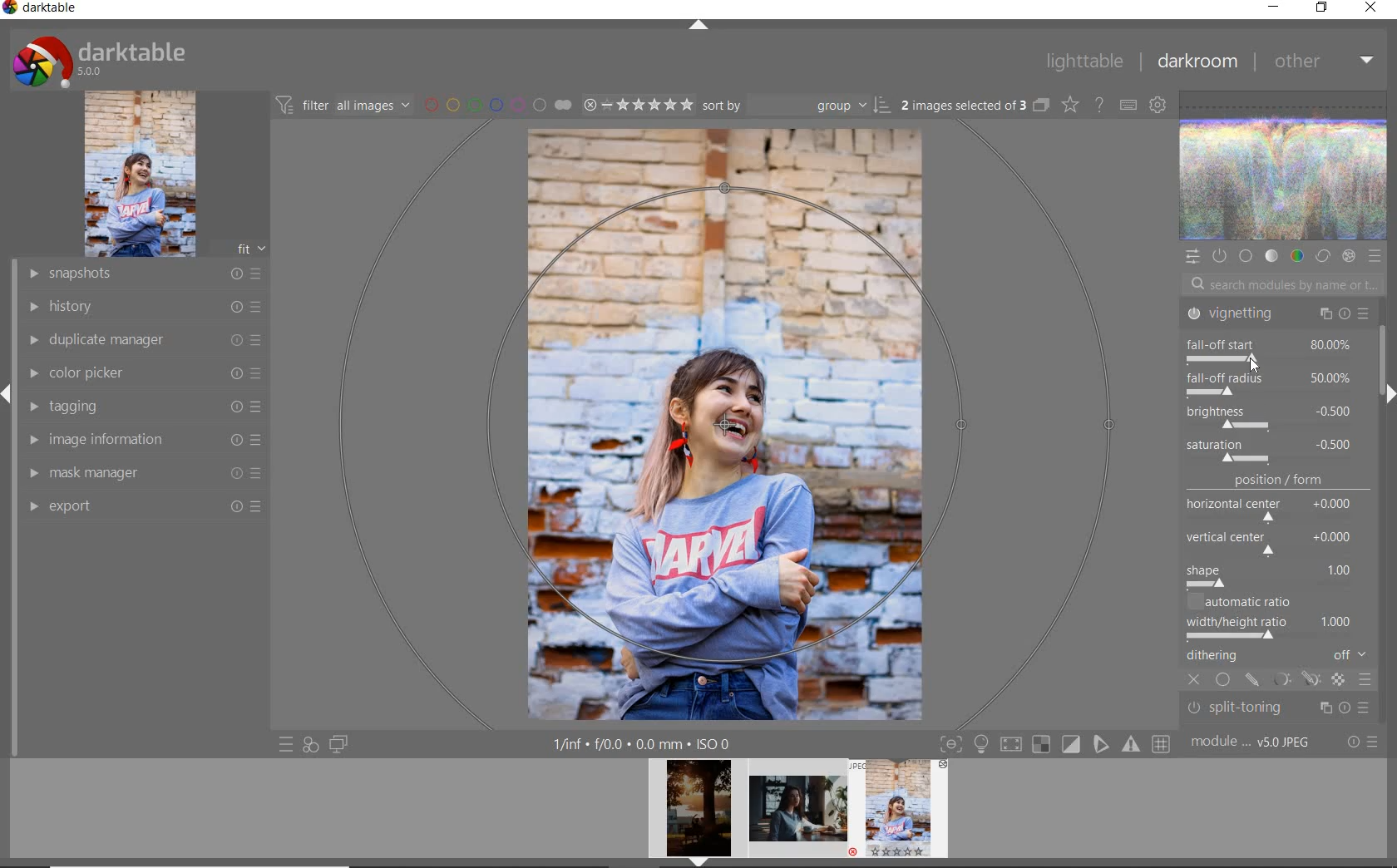 This screenshot has width=1397, height=868. What do you see at coordinates (1386, 393) in the screenshot?
I see `expand/collapse` at bounding box center [1386, 393].